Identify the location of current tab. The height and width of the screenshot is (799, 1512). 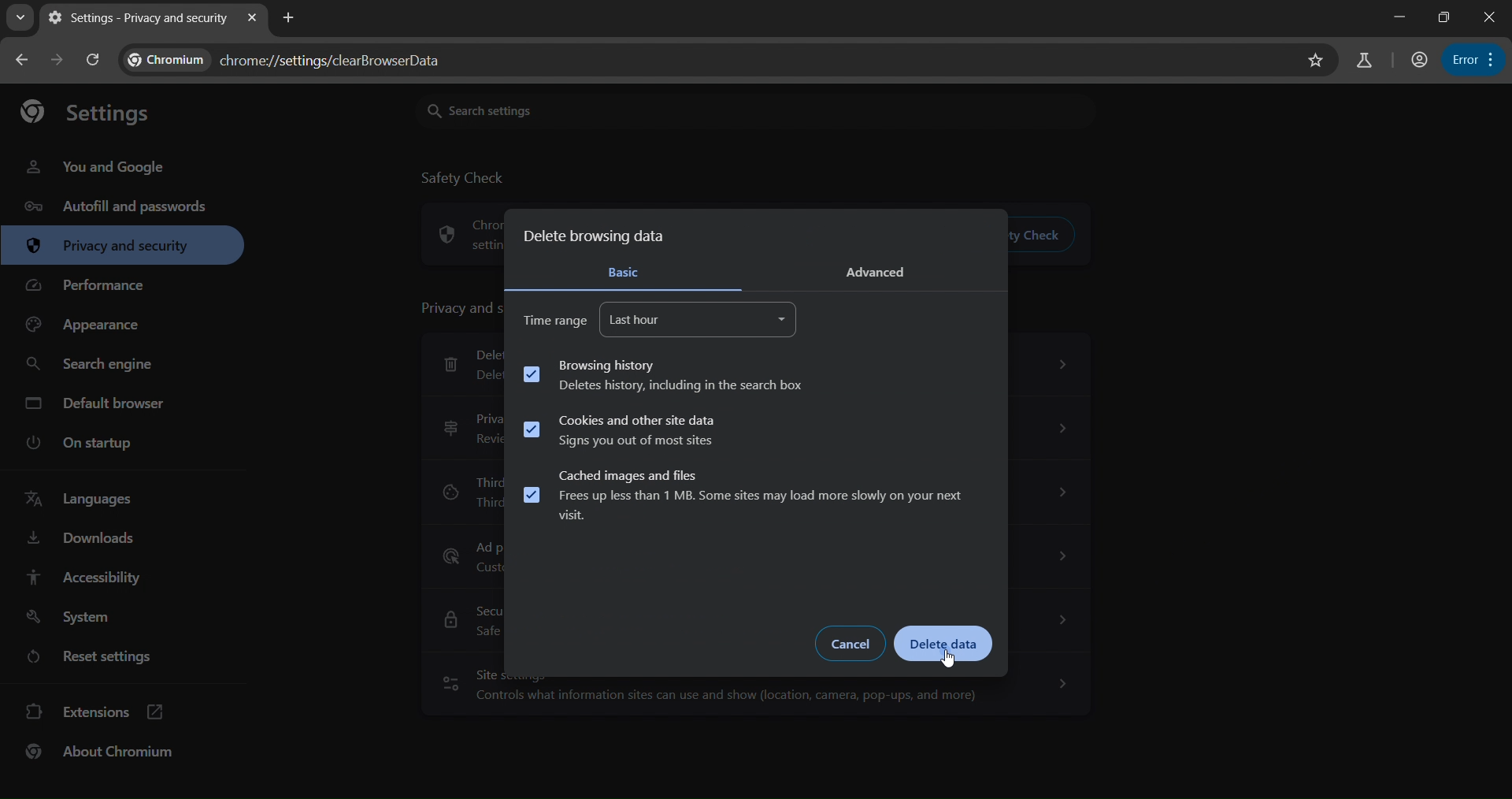
(140, 20).